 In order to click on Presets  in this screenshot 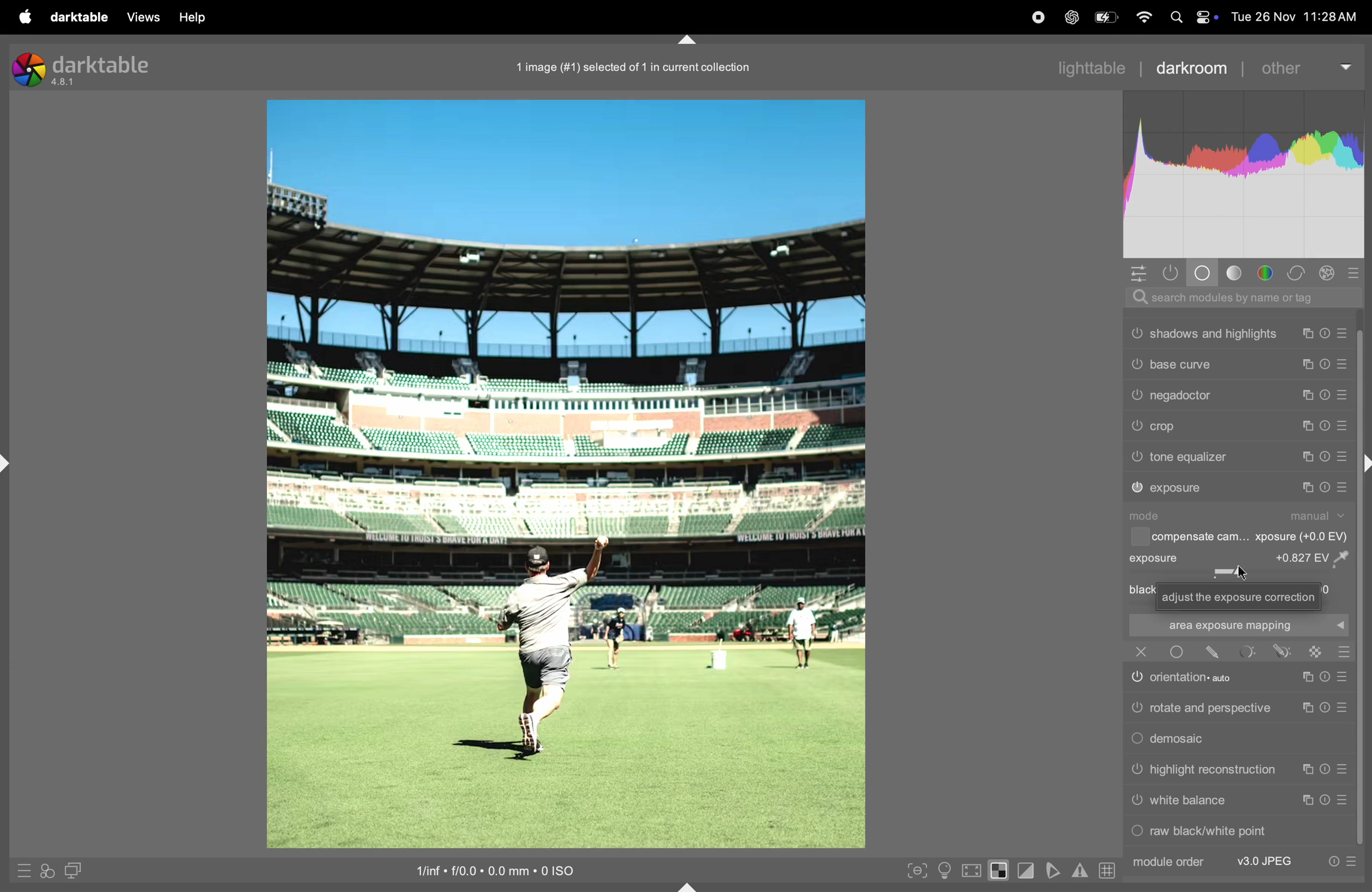, I will do `click(1342, 458)`.